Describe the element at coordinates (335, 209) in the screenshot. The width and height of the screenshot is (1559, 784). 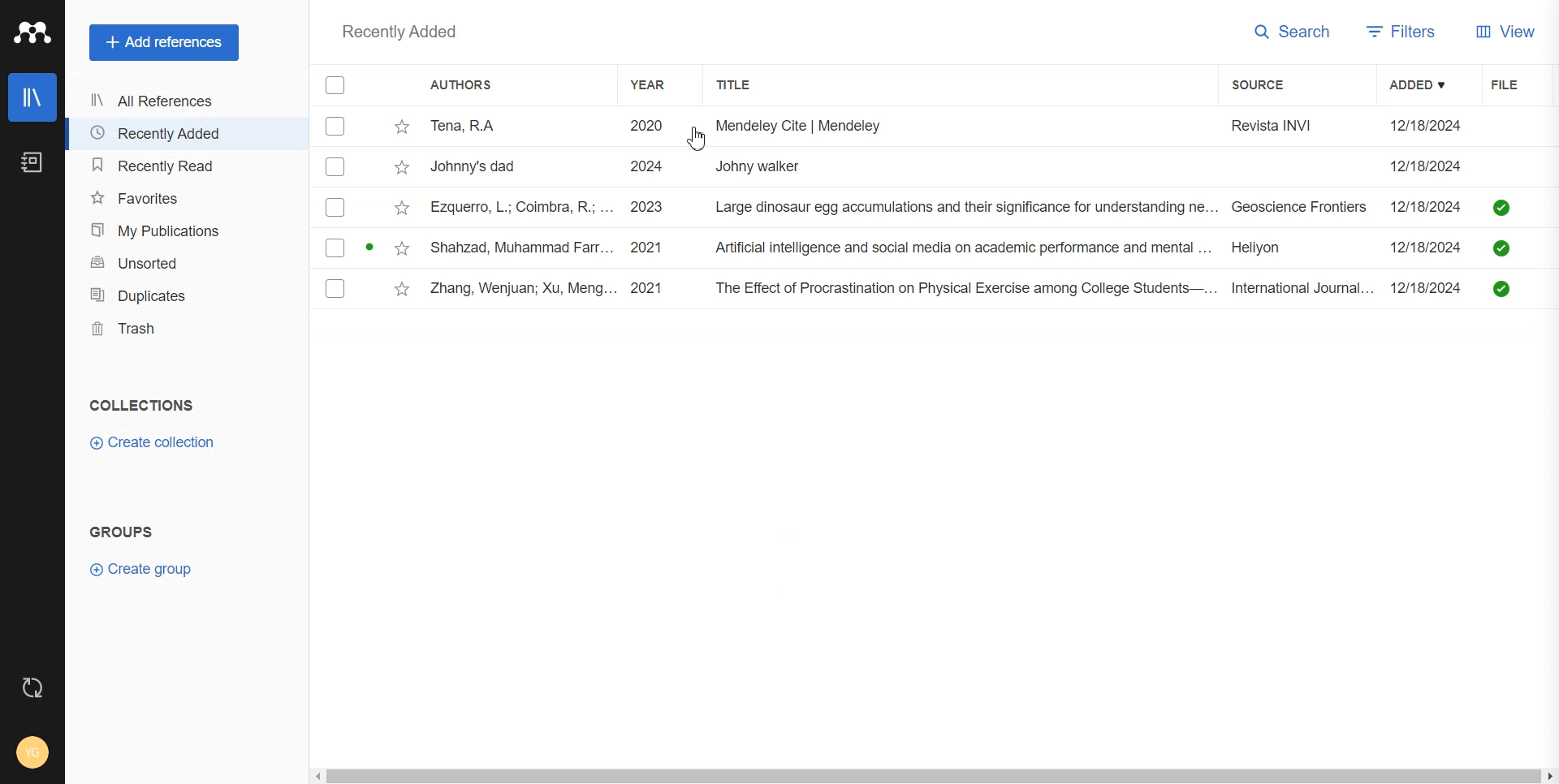
I see `Checkbox` at that location.